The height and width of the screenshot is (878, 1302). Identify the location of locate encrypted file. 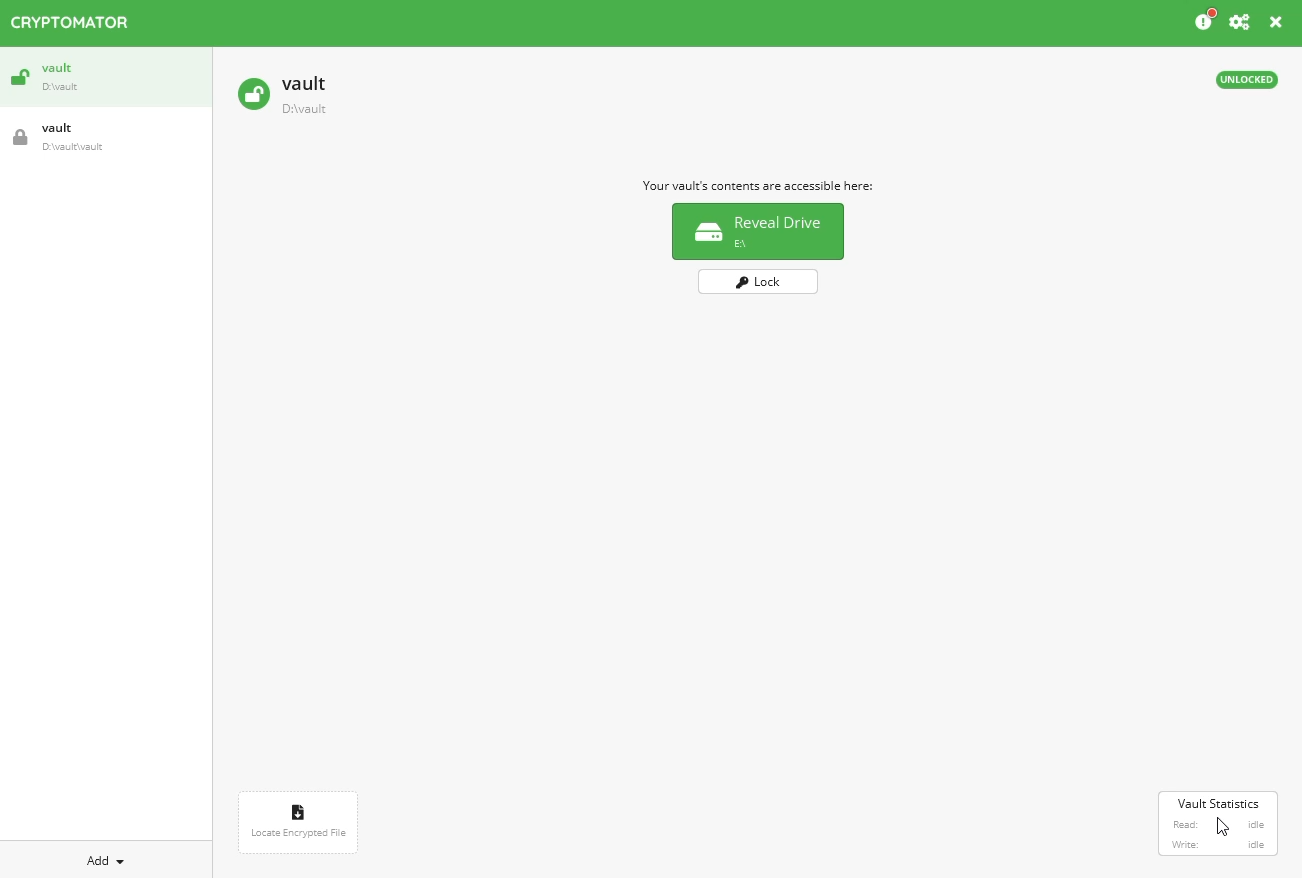
(299, 822).